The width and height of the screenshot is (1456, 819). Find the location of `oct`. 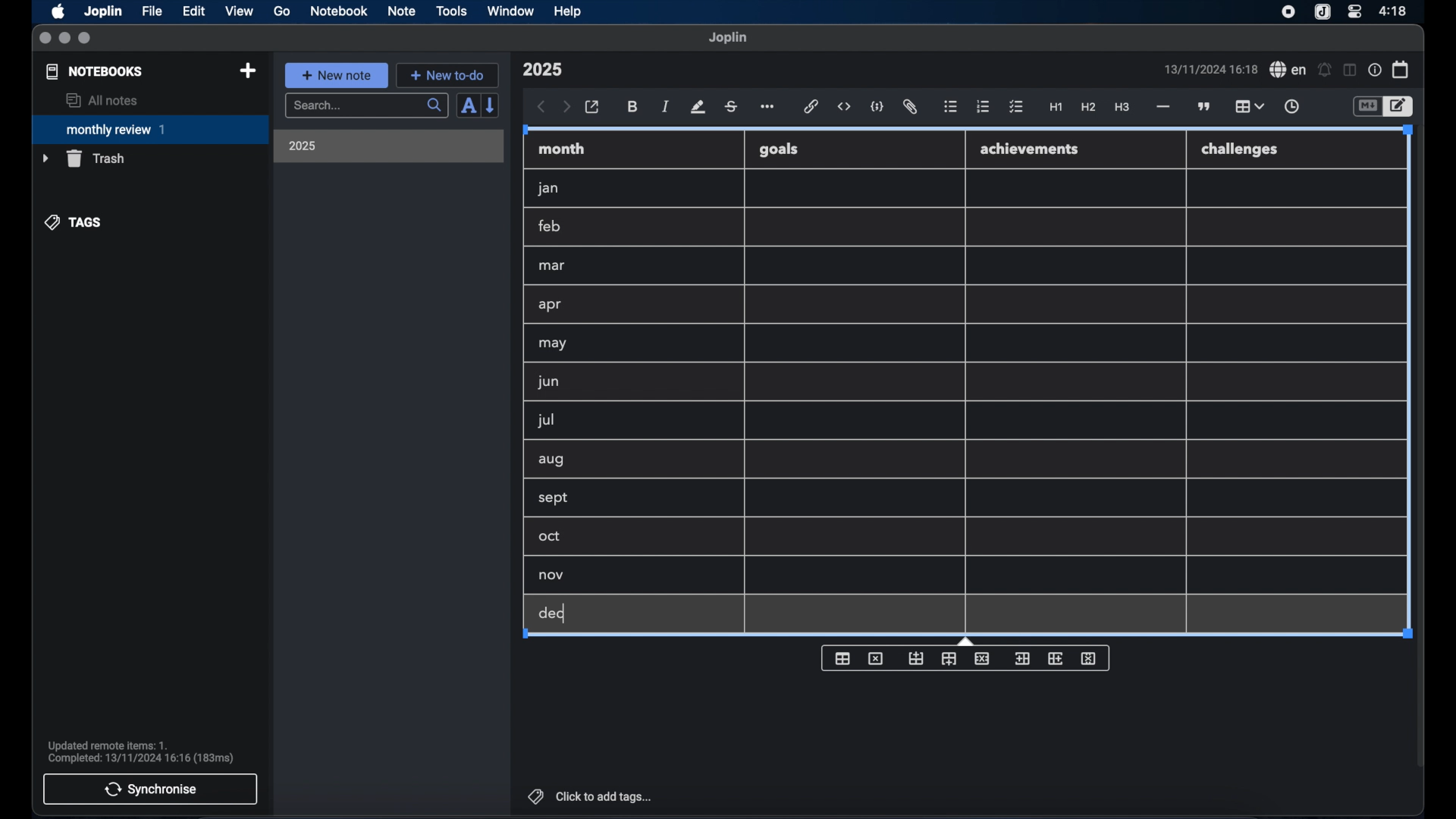

oct is located at coordinates (551, 538).